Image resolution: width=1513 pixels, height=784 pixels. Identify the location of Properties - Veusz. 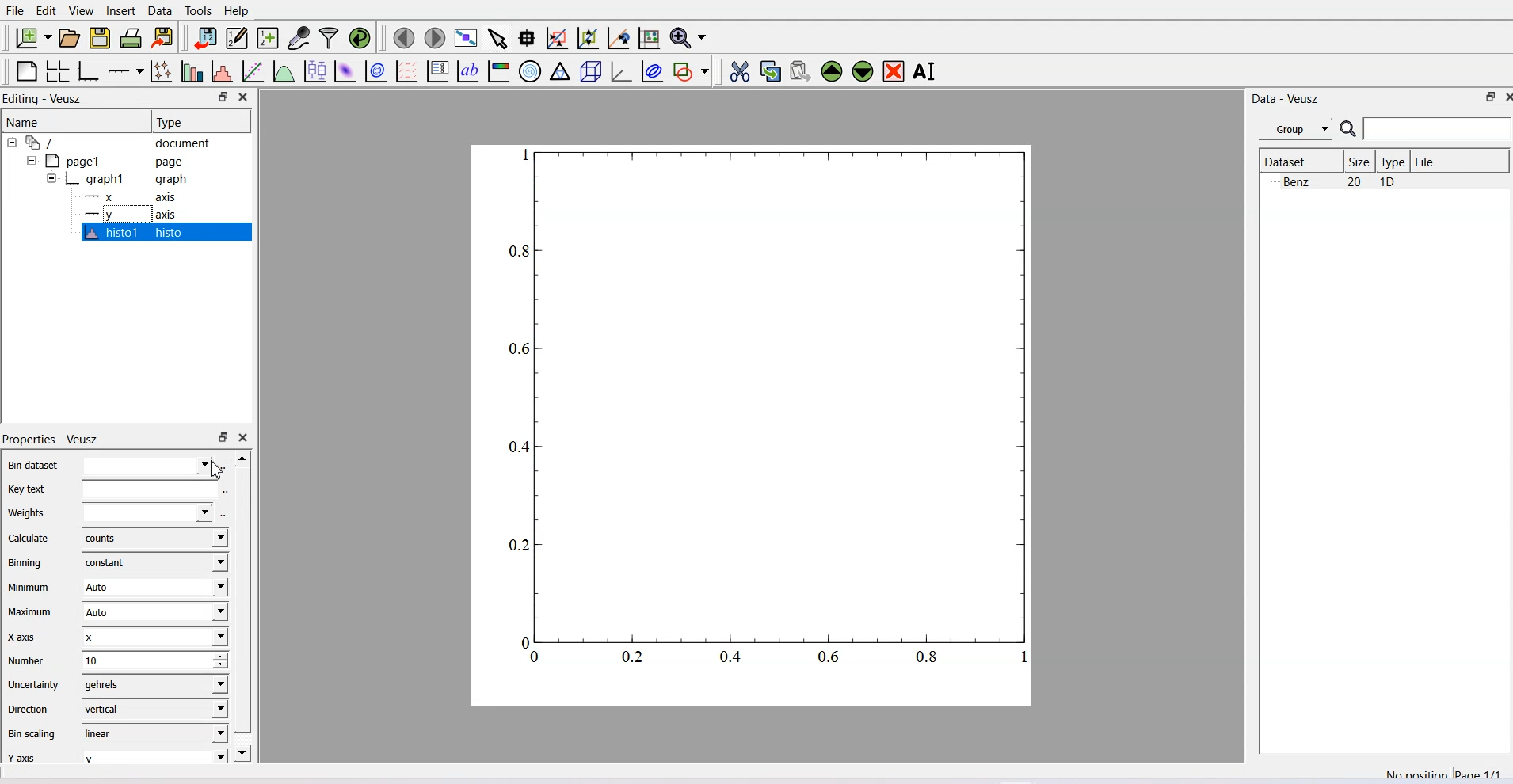
(52, 438).